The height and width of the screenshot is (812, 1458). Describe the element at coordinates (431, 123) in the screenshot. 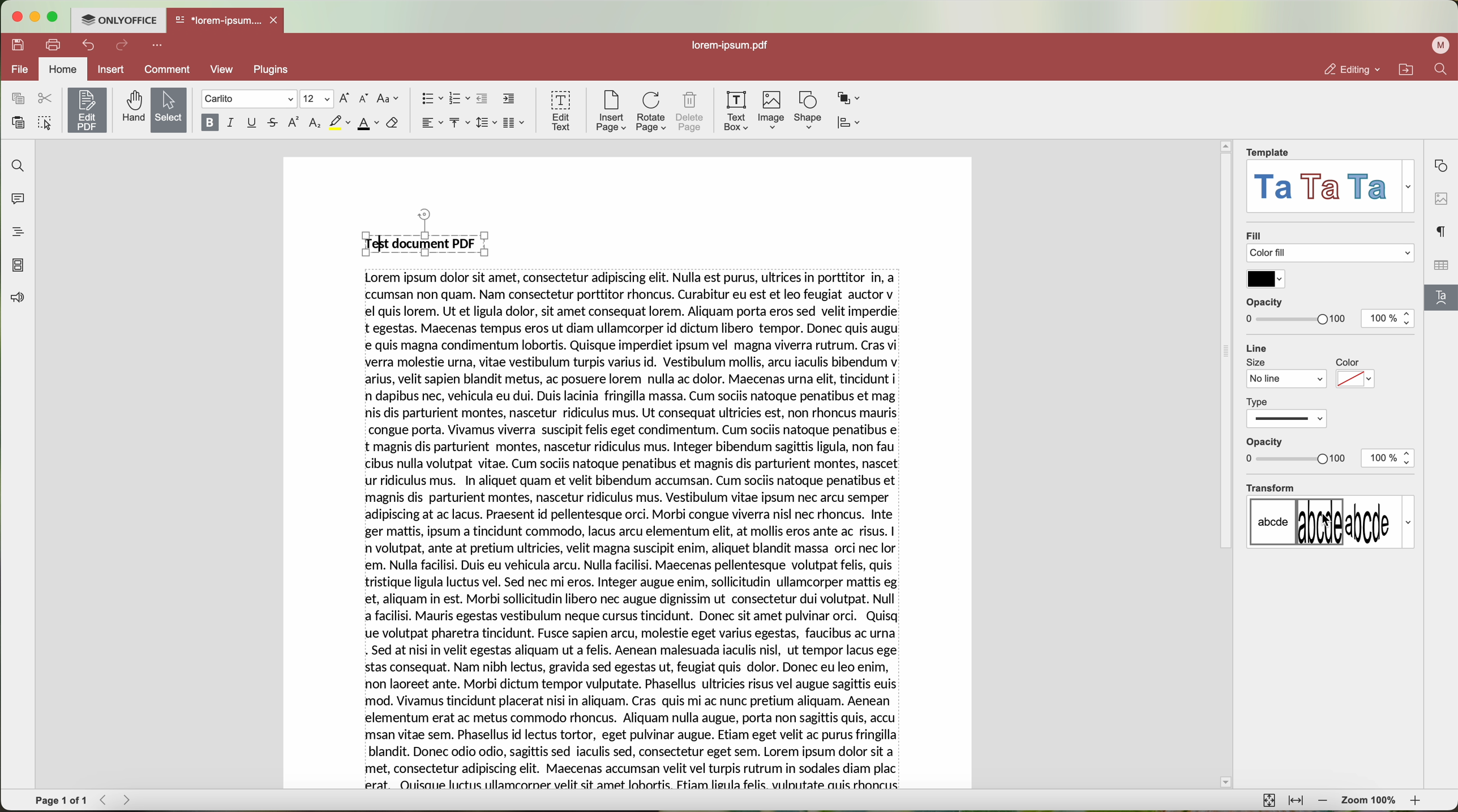

I see `horizontal align` at that location.